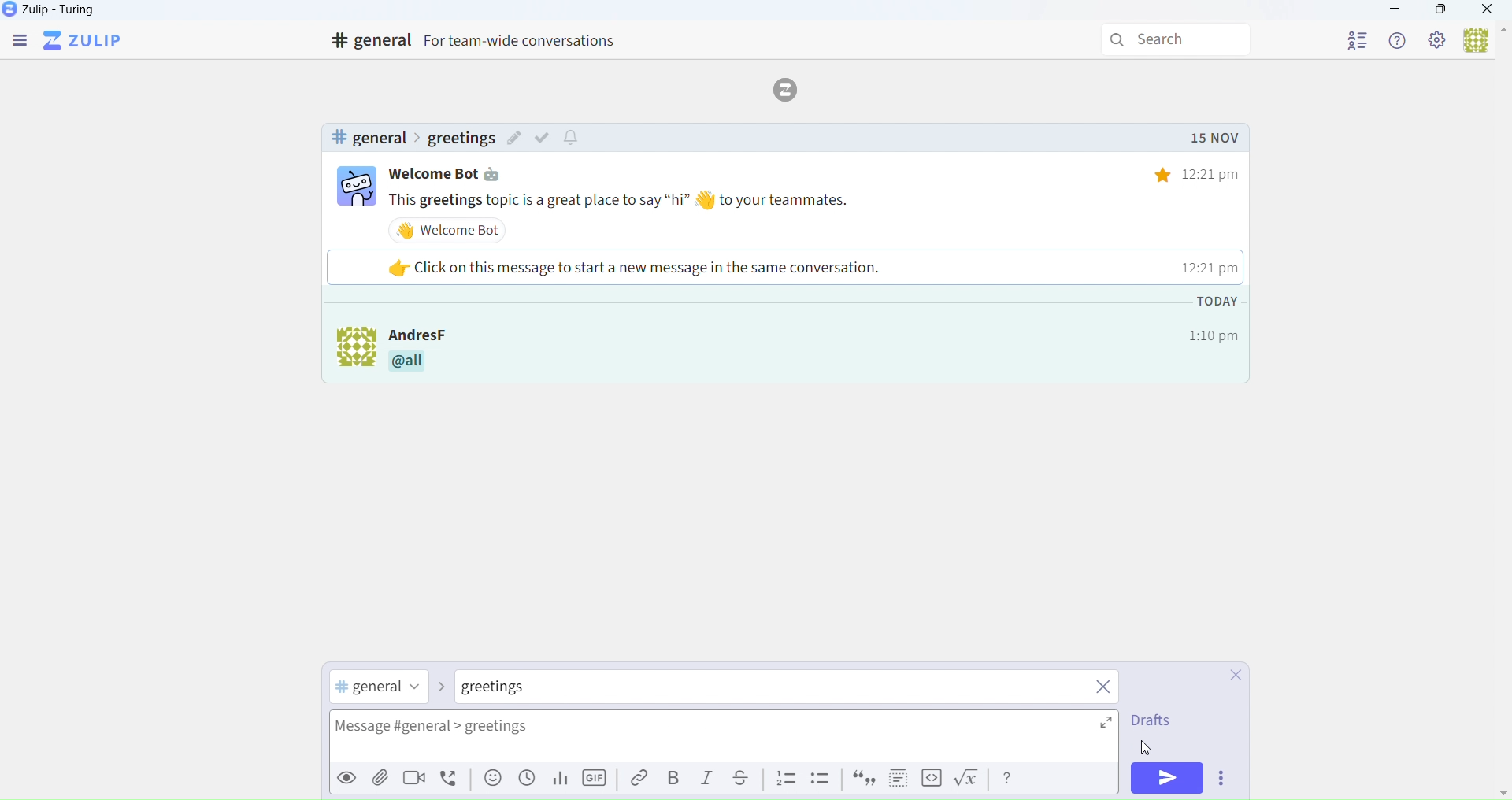 The image size is (1512, 800). What do you see at coordinates (455, 174) in the screenshot?
I see `bot name` at bounding box center [455, 174].